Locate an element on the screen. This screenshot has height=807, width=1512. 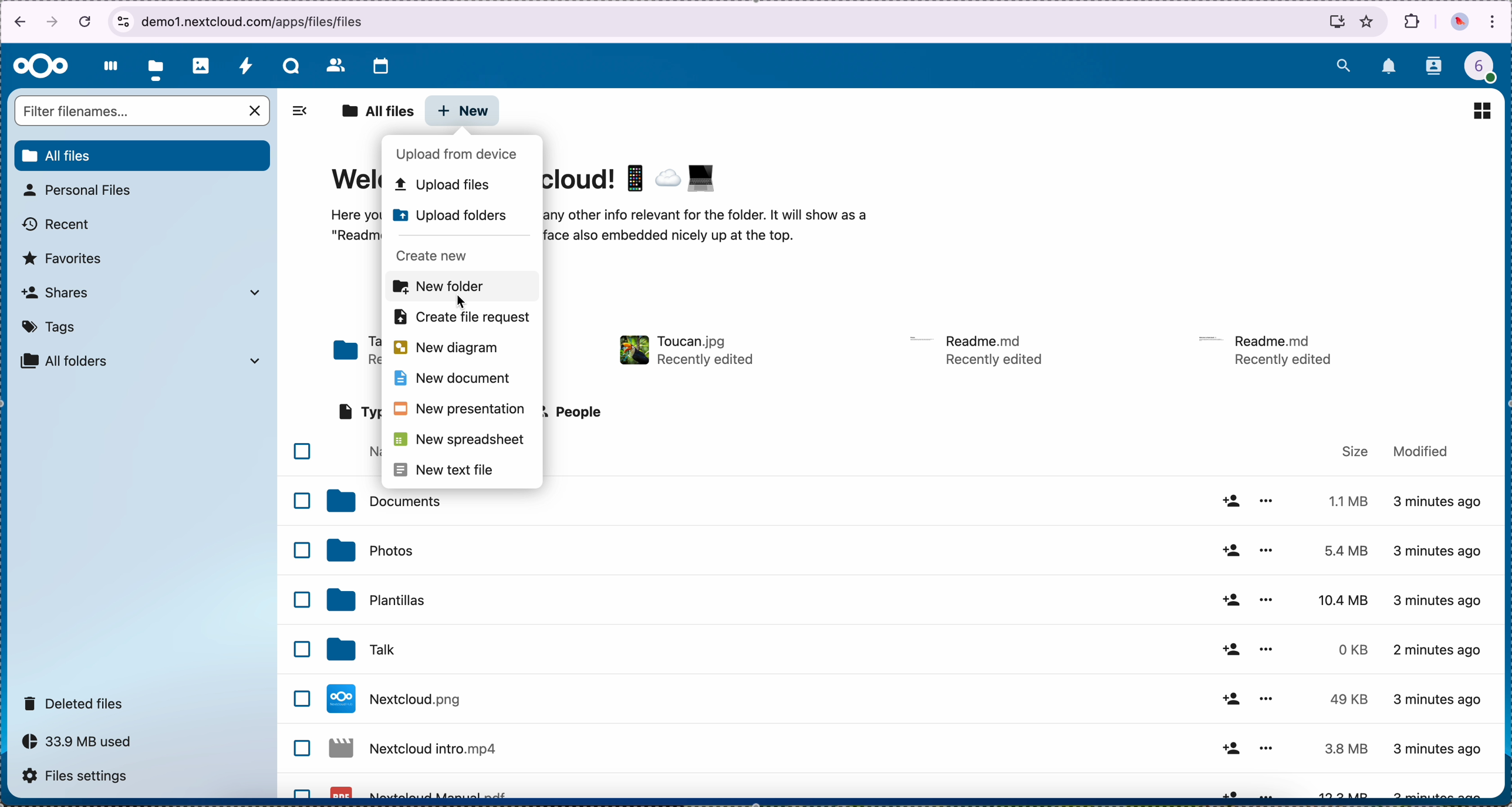
share is located at coordinates (1227, 792).